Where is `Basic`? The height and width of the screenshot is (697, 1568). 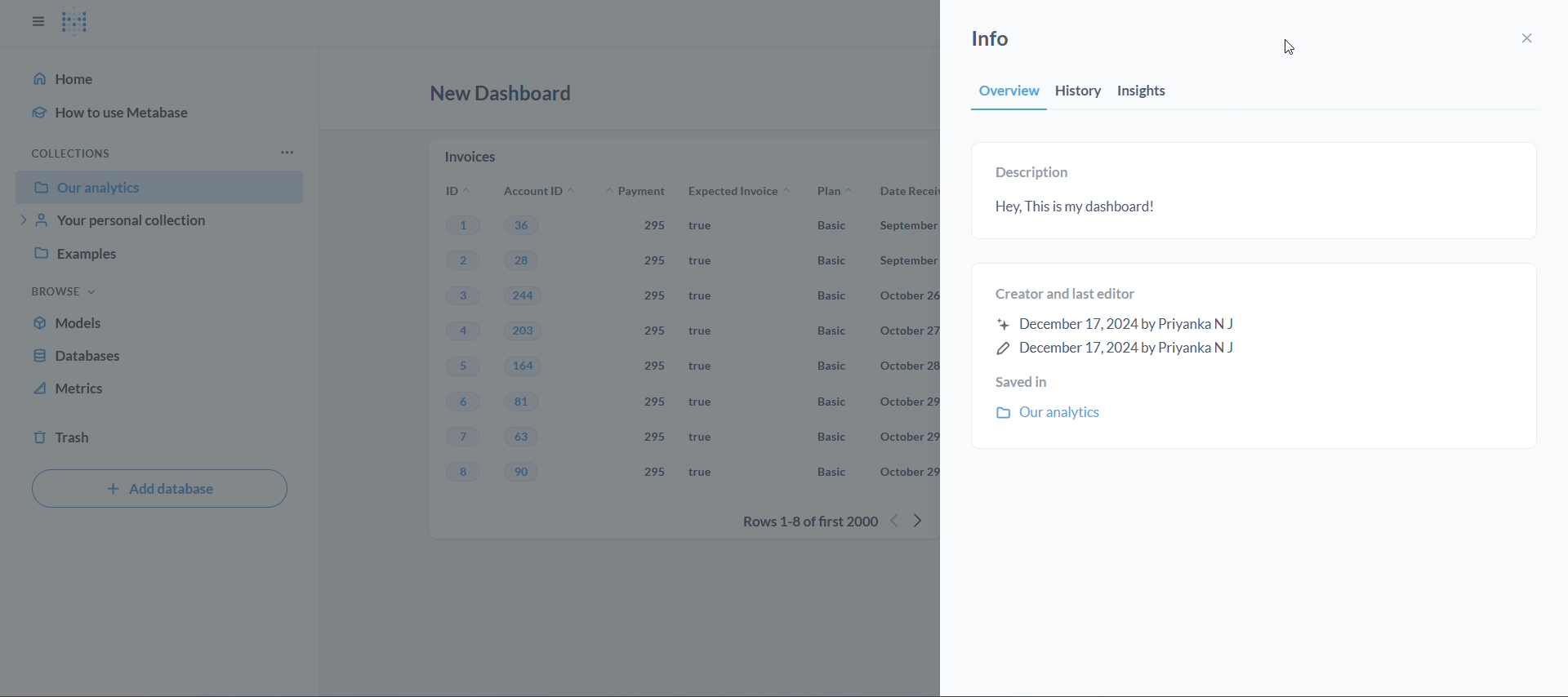 Basic is located at coordinates (830, 226).